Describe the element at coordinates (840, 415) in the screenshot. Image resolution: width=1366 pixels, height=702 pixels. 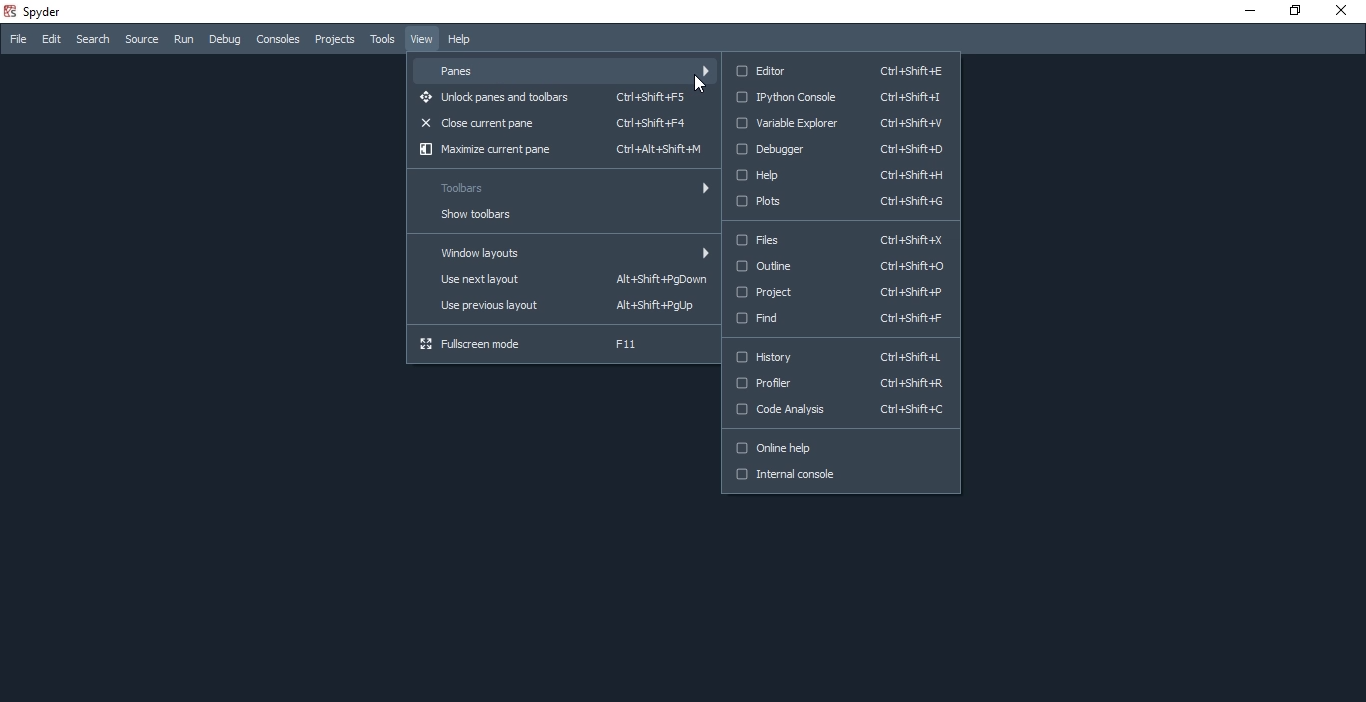
I see `Code Analysis` at that location.